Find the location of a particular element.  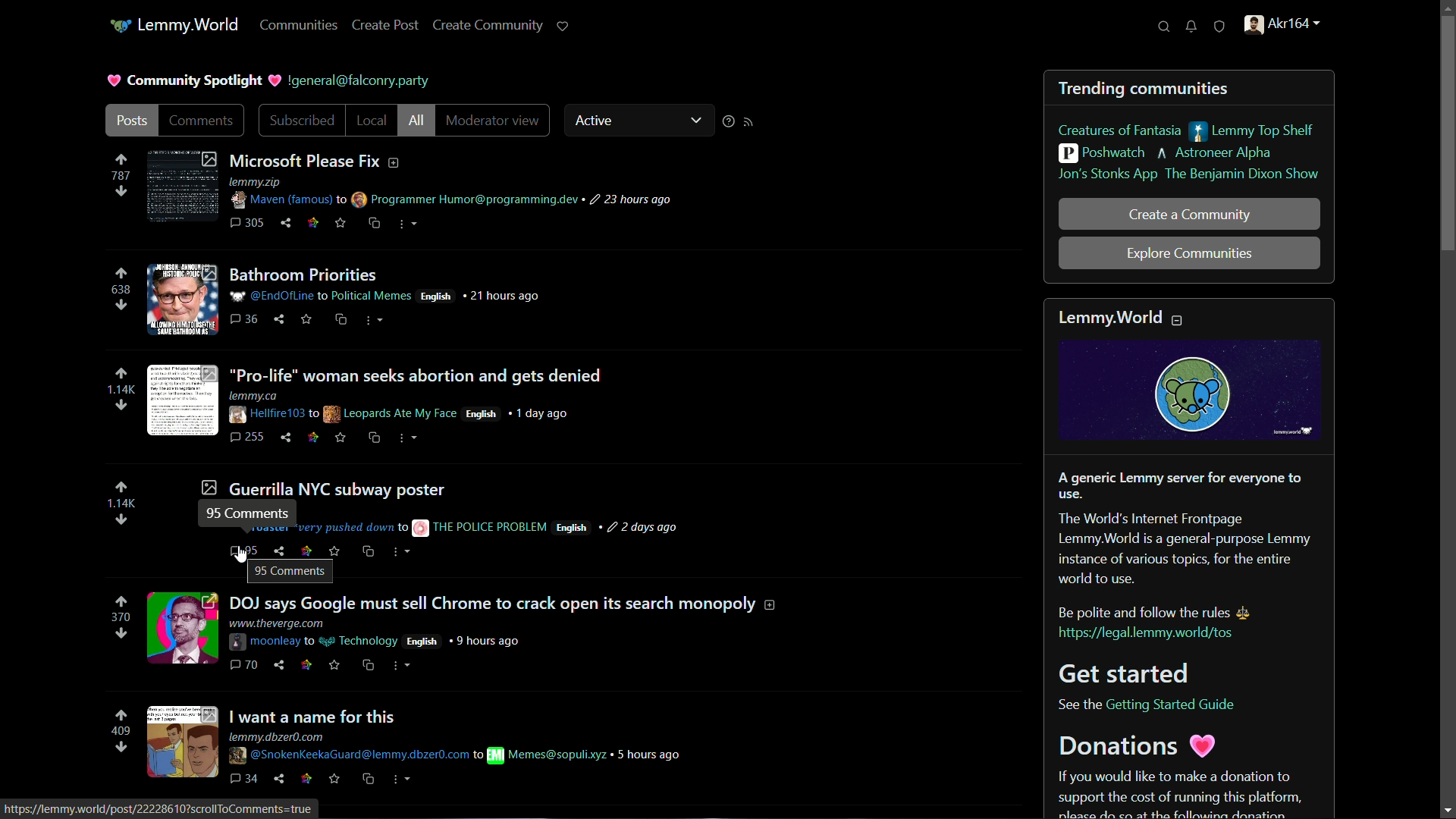

creature of fantasia is located at coordinates (1118, 132).